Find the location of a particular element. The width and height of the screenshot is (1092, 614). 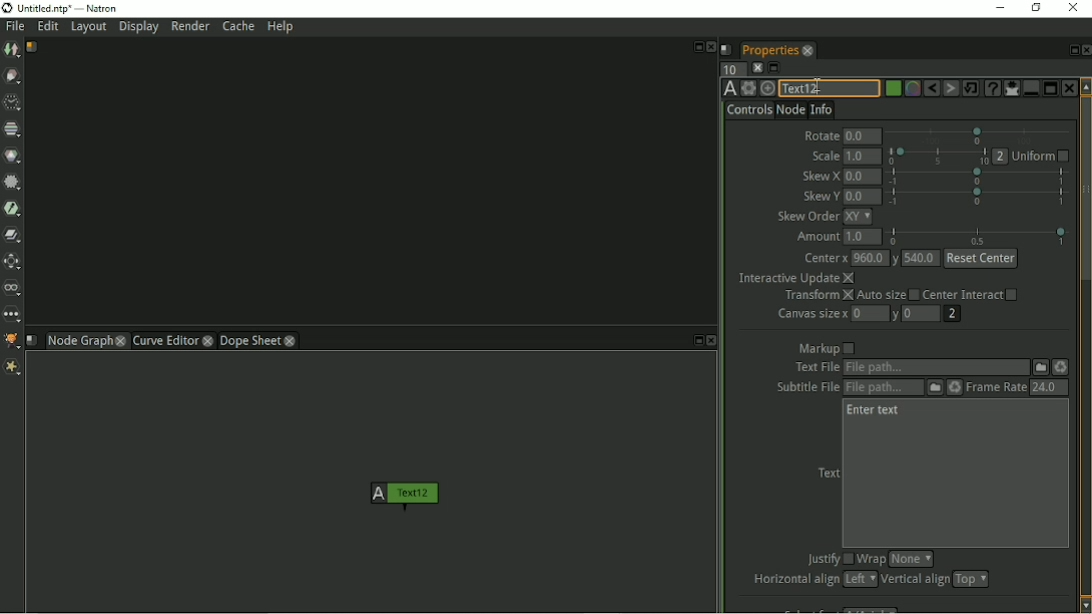

Color is located at coordinates (13, 155).